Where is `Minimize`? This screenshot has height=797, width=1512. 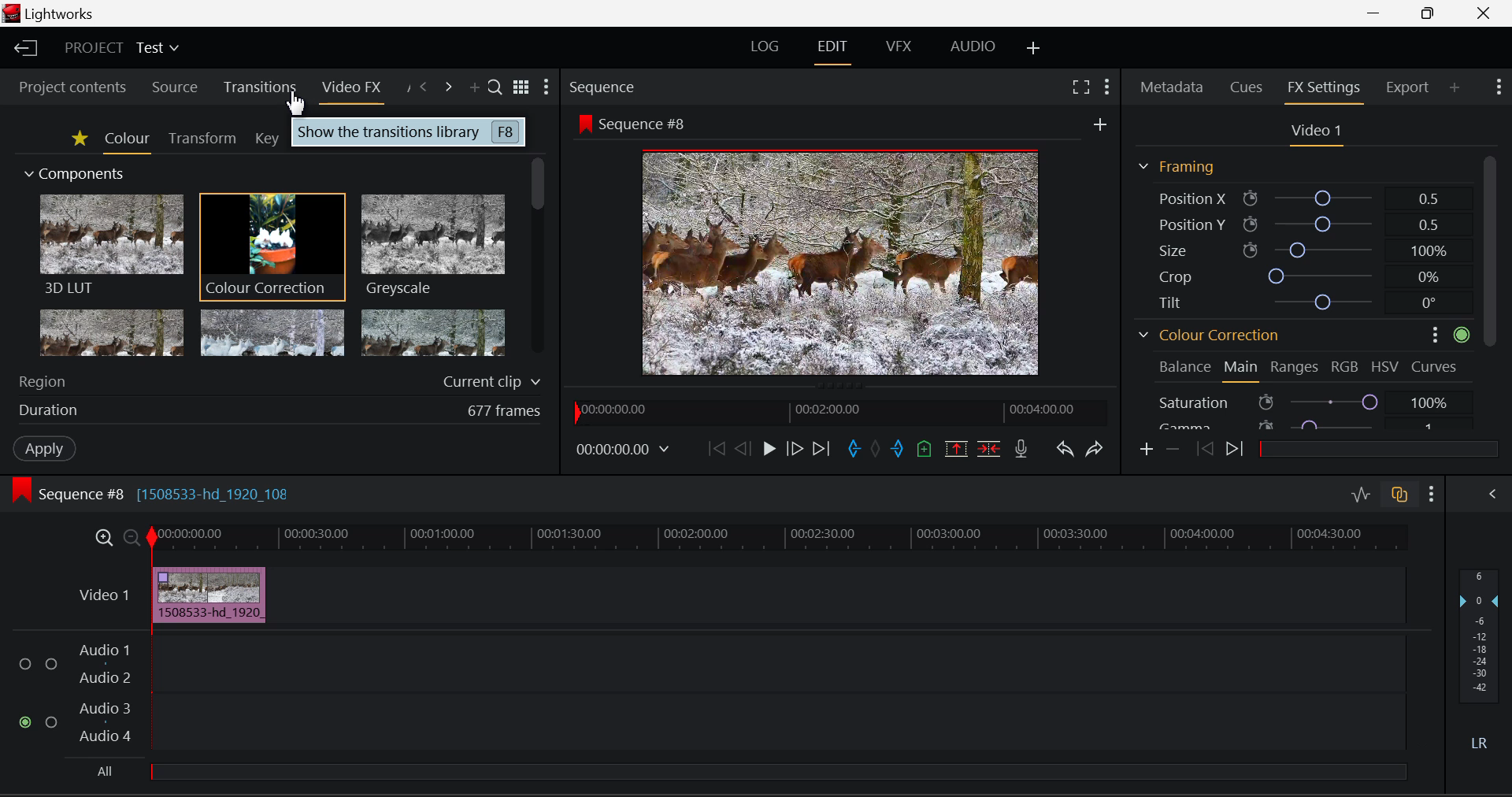 Minimize is located at coordinates (1431, 13).